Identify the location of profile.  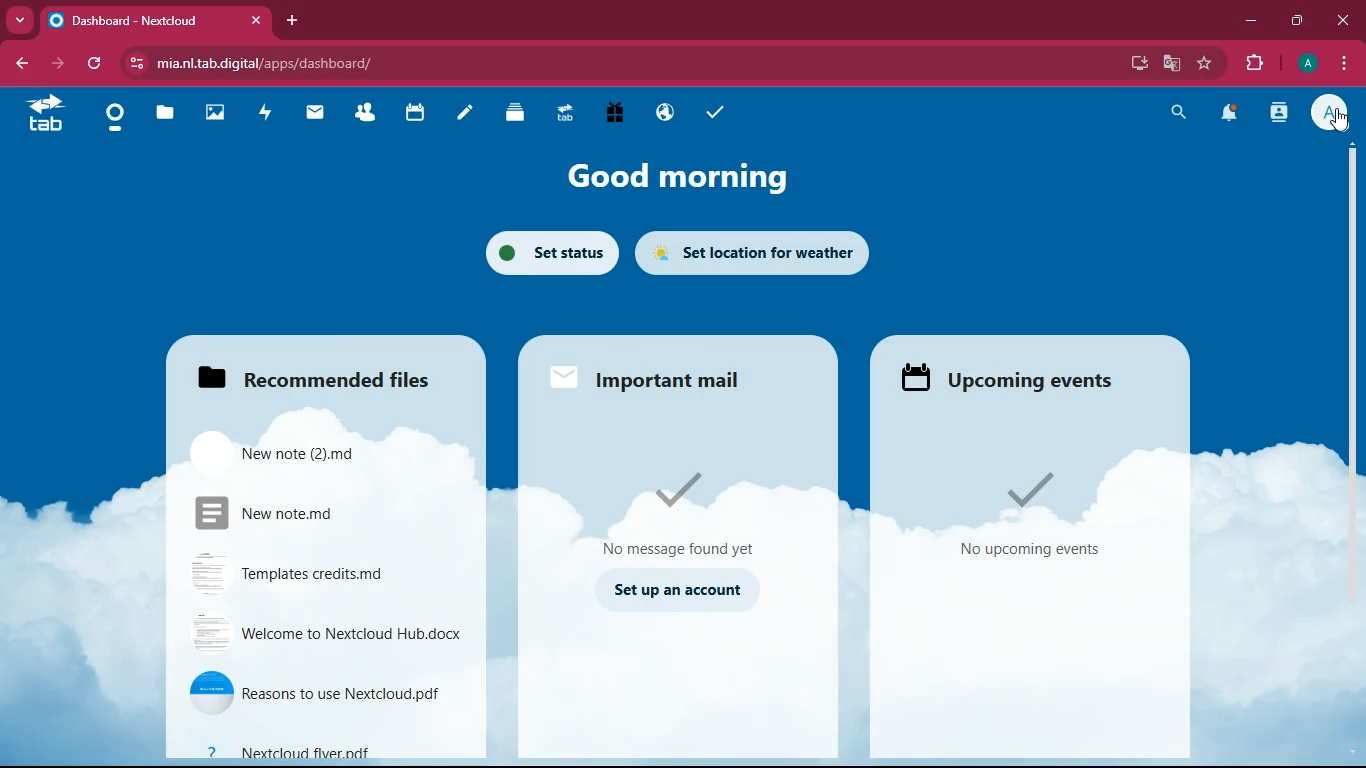
(1307, 63).